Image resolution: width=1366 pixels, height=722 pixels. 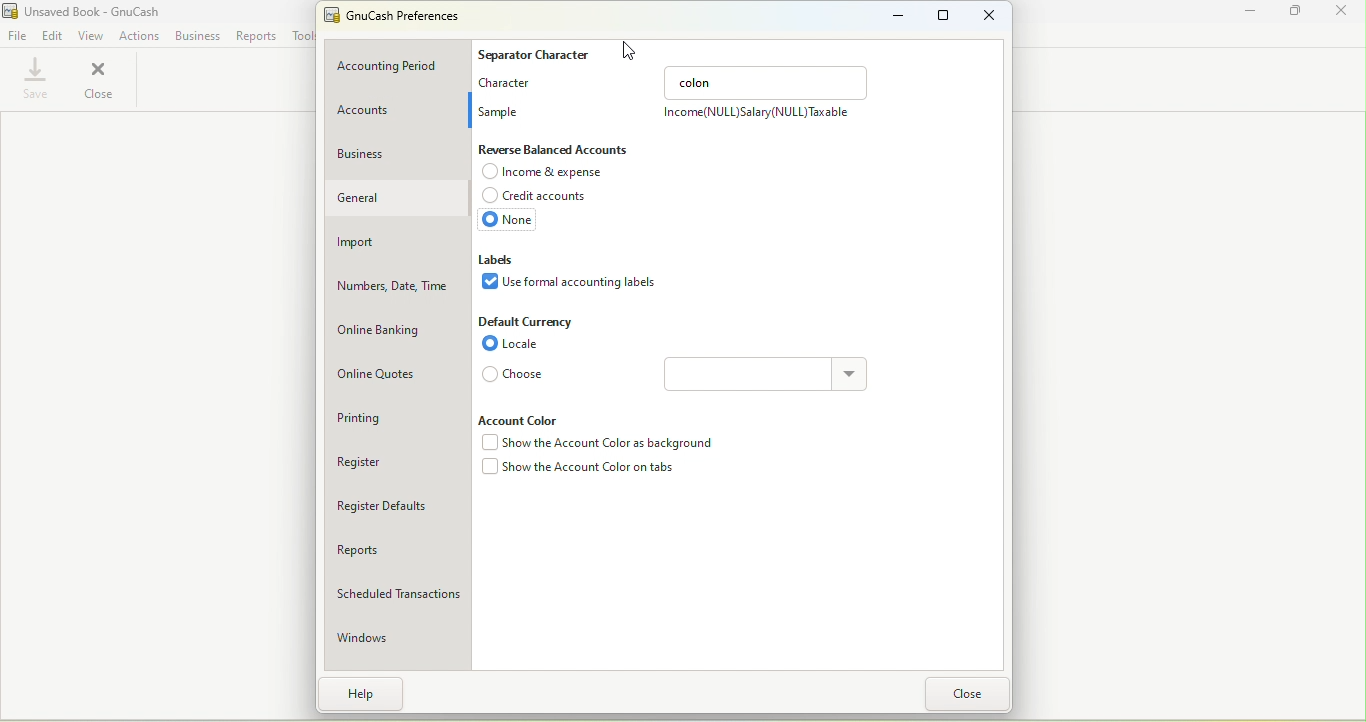 I want to click on Import, so click(x=400, y=244).